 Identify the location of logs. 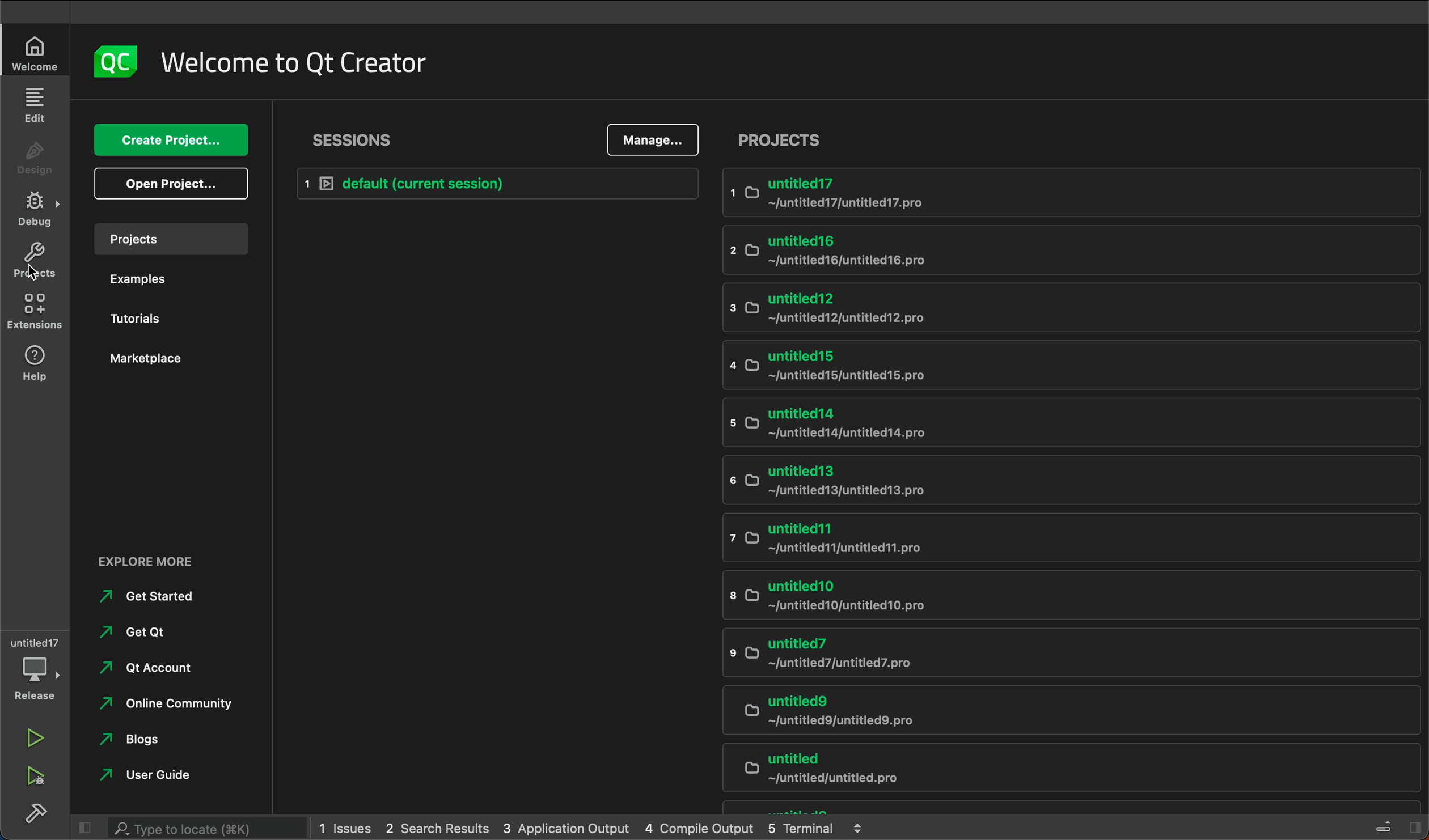
(598, 826).